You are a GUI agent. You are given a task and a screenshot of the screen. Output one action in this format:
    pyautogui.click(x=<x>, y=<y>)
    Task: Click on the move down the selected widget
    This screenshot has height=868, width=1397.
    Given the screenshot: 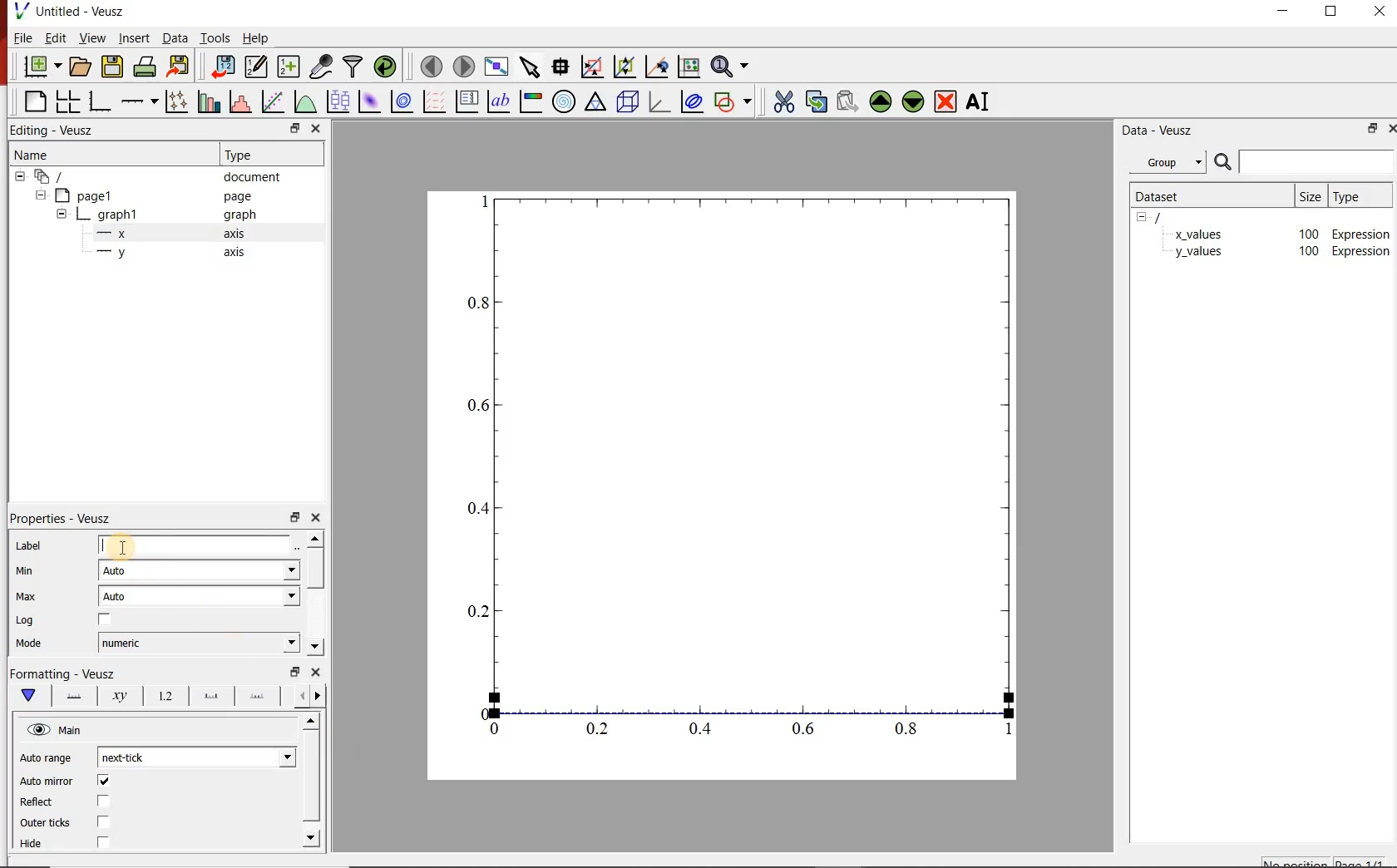 What is the action you would take?
    pyautogui.click(x=913, y=104)
    